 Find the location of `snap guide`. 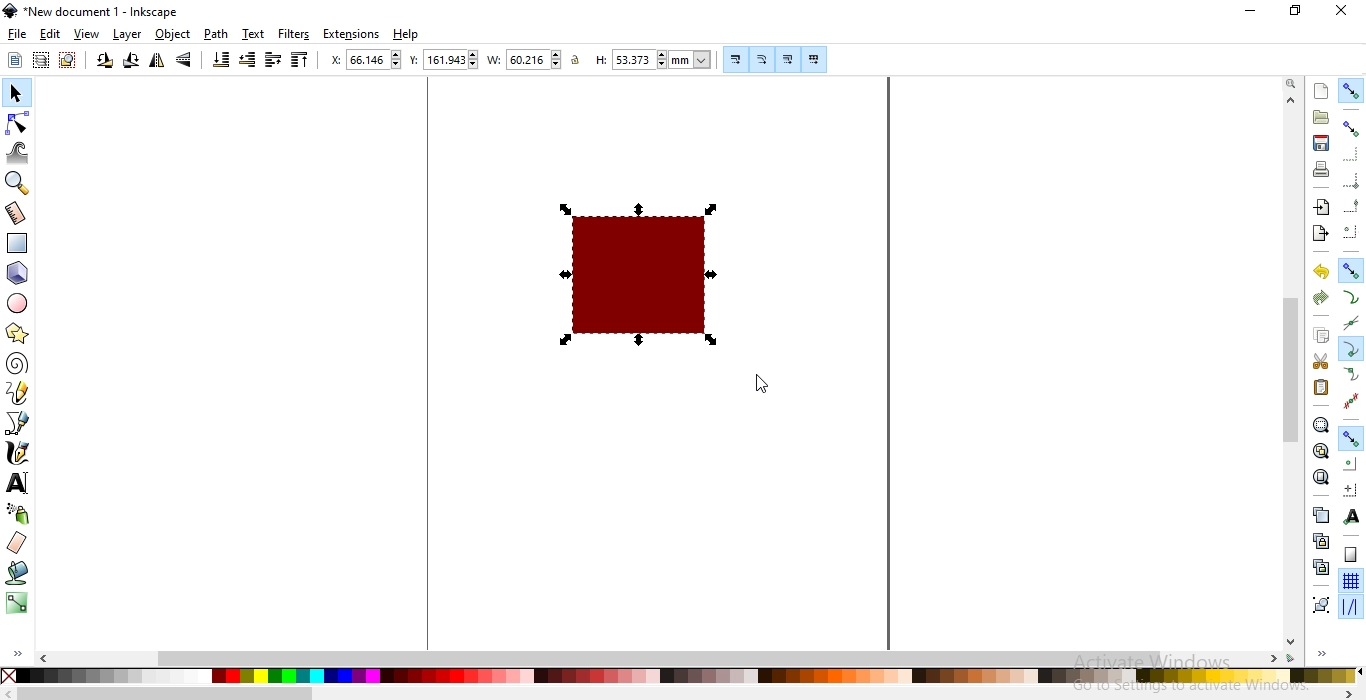

snap guide is located at coordinates (1351, 607).